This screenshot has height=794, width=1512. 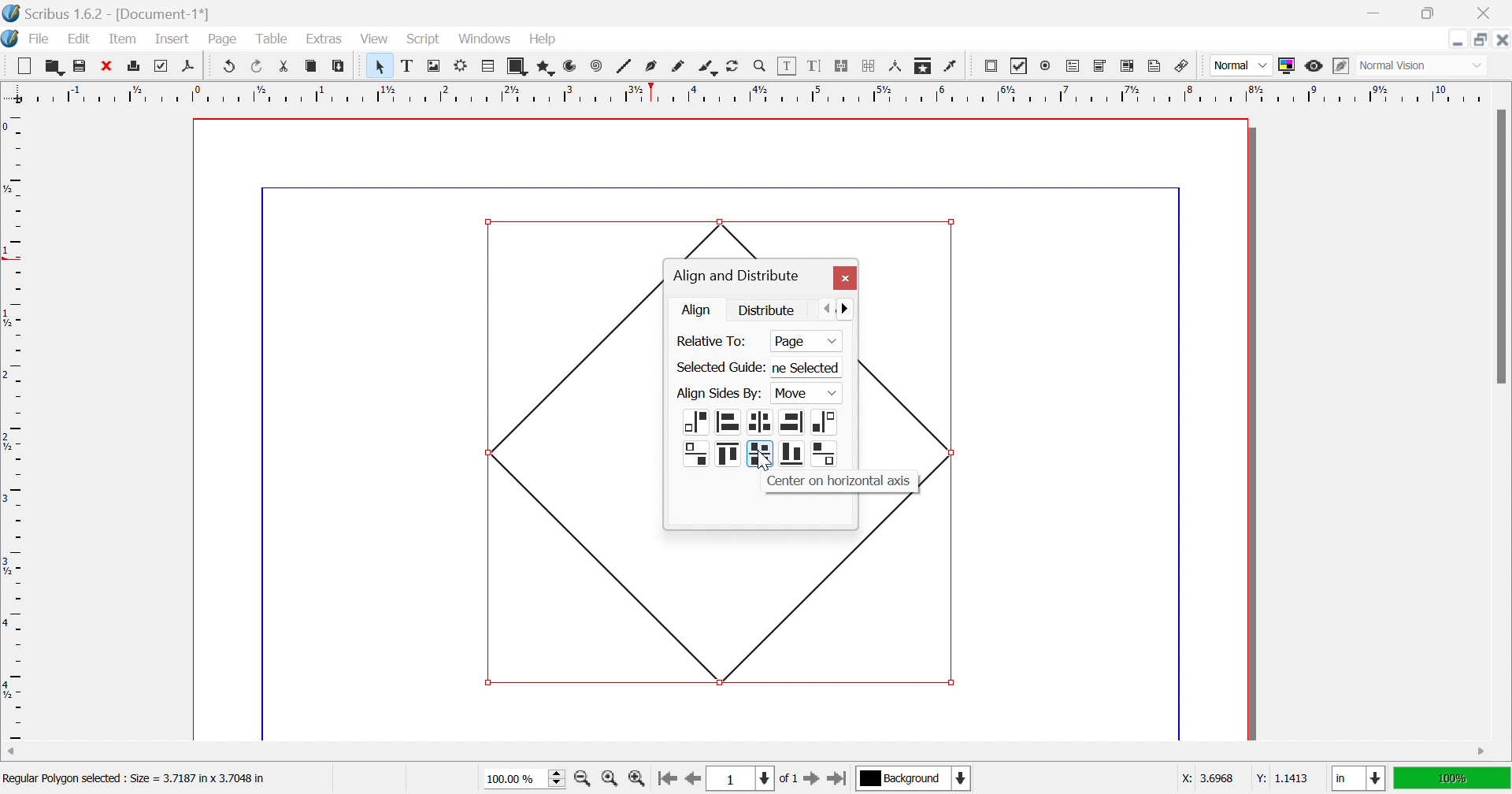 What do you see at coordinates (624, 65) in the screenshot?
I see `Line` at bounding box center [624, 65].